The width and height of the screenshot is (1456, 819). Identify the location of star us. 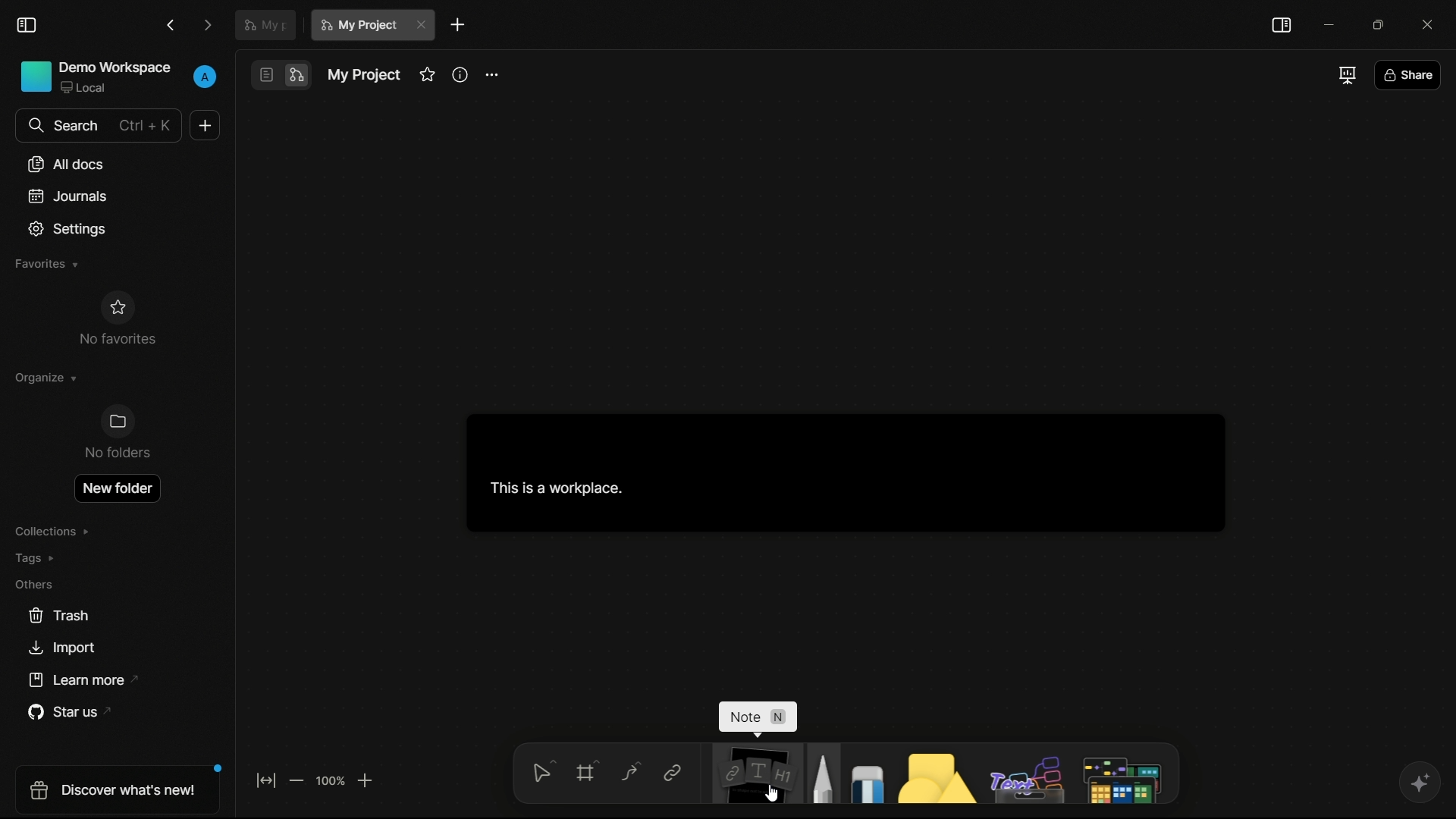
(67, 711).